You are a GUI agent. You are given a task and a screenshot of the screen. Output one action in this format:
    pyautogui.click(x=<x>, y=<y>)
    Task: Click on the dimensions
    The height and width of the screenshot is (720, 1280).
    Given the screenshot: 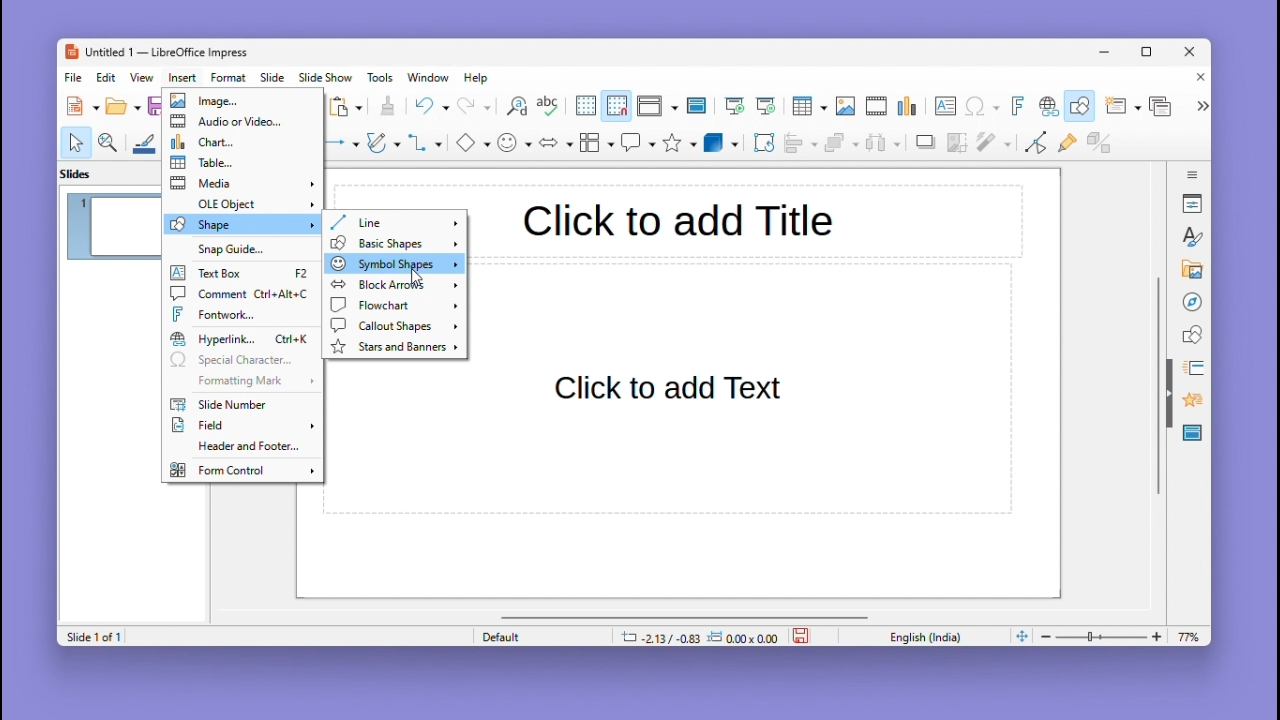 What is the action you would take?
    pyautogui.click(x=699, y=636)
    